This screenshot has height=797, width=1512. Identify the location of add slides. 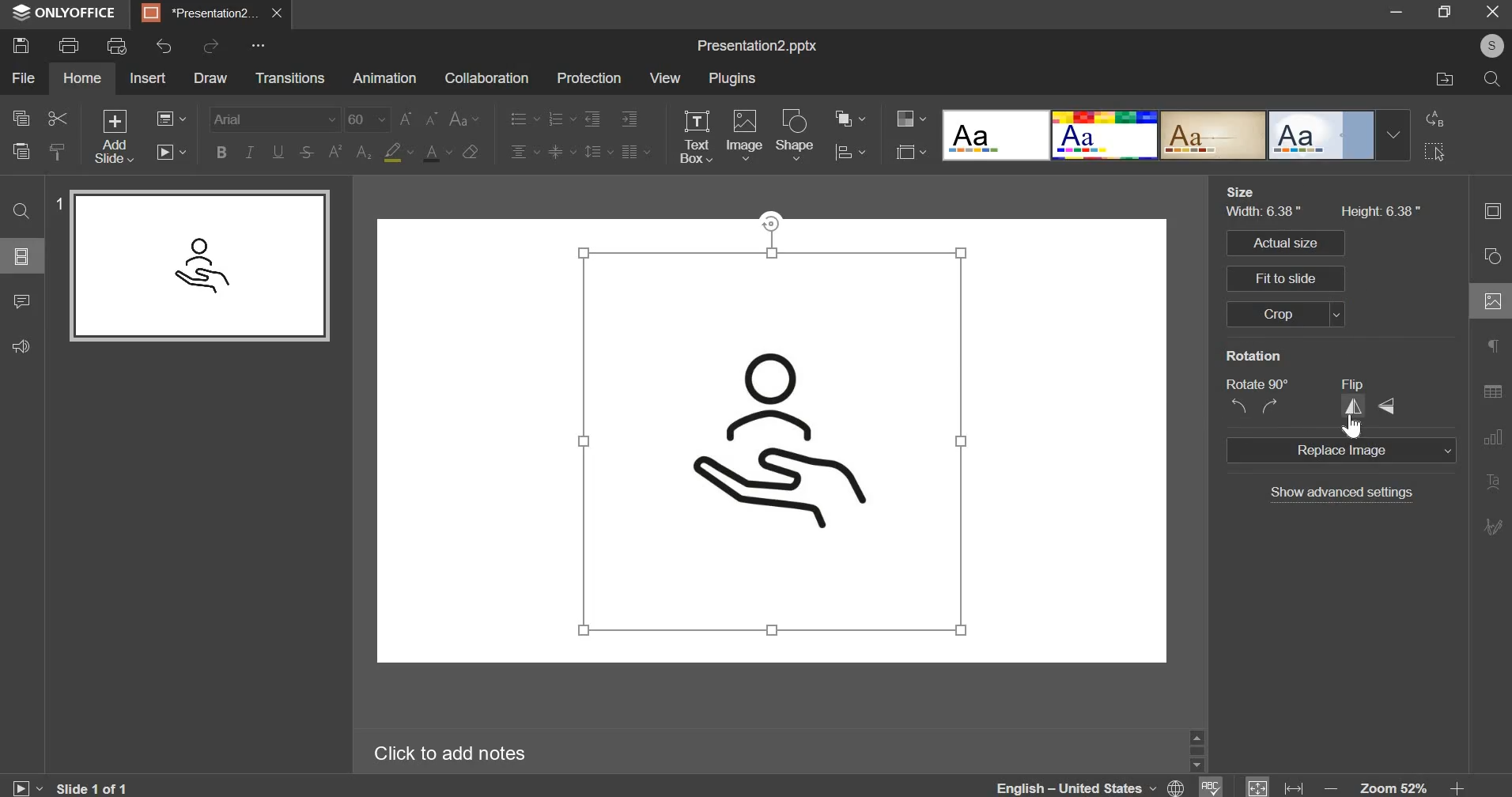
(114, 136).